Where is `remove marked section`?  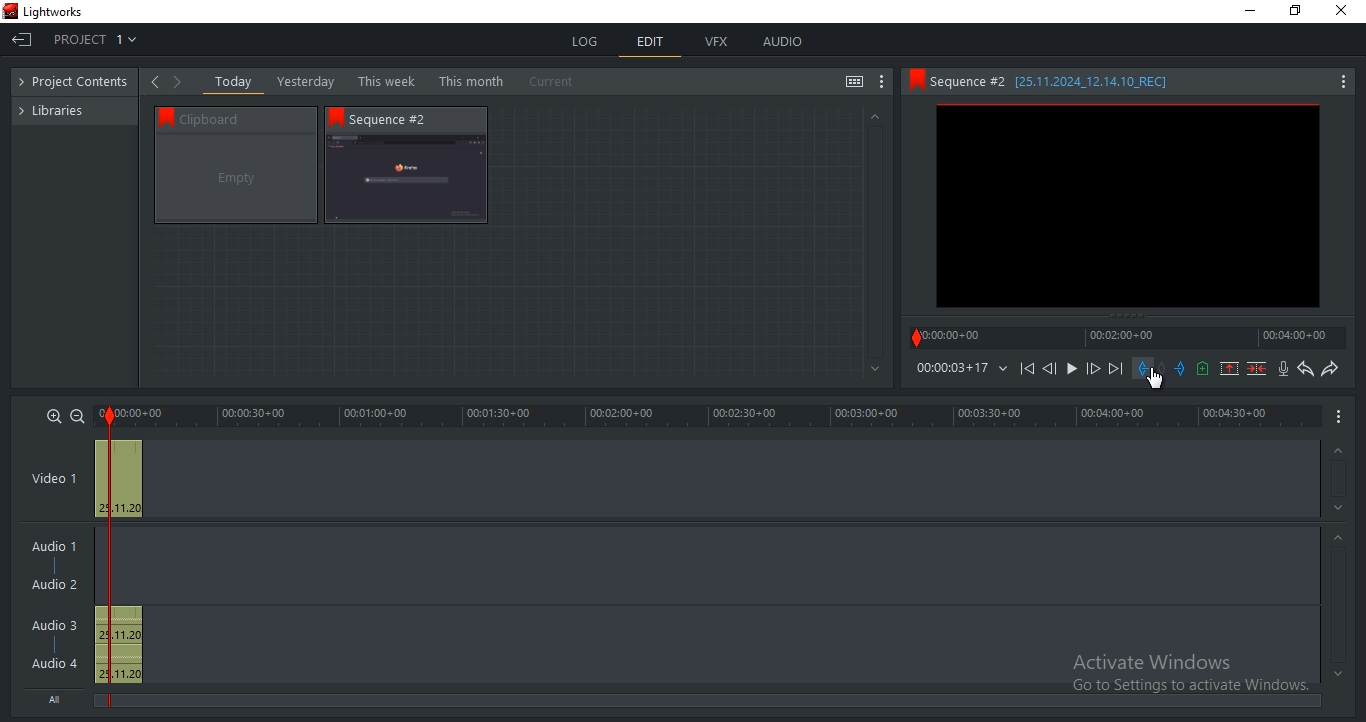 remove marked section is located at coordinates (1229, 367).